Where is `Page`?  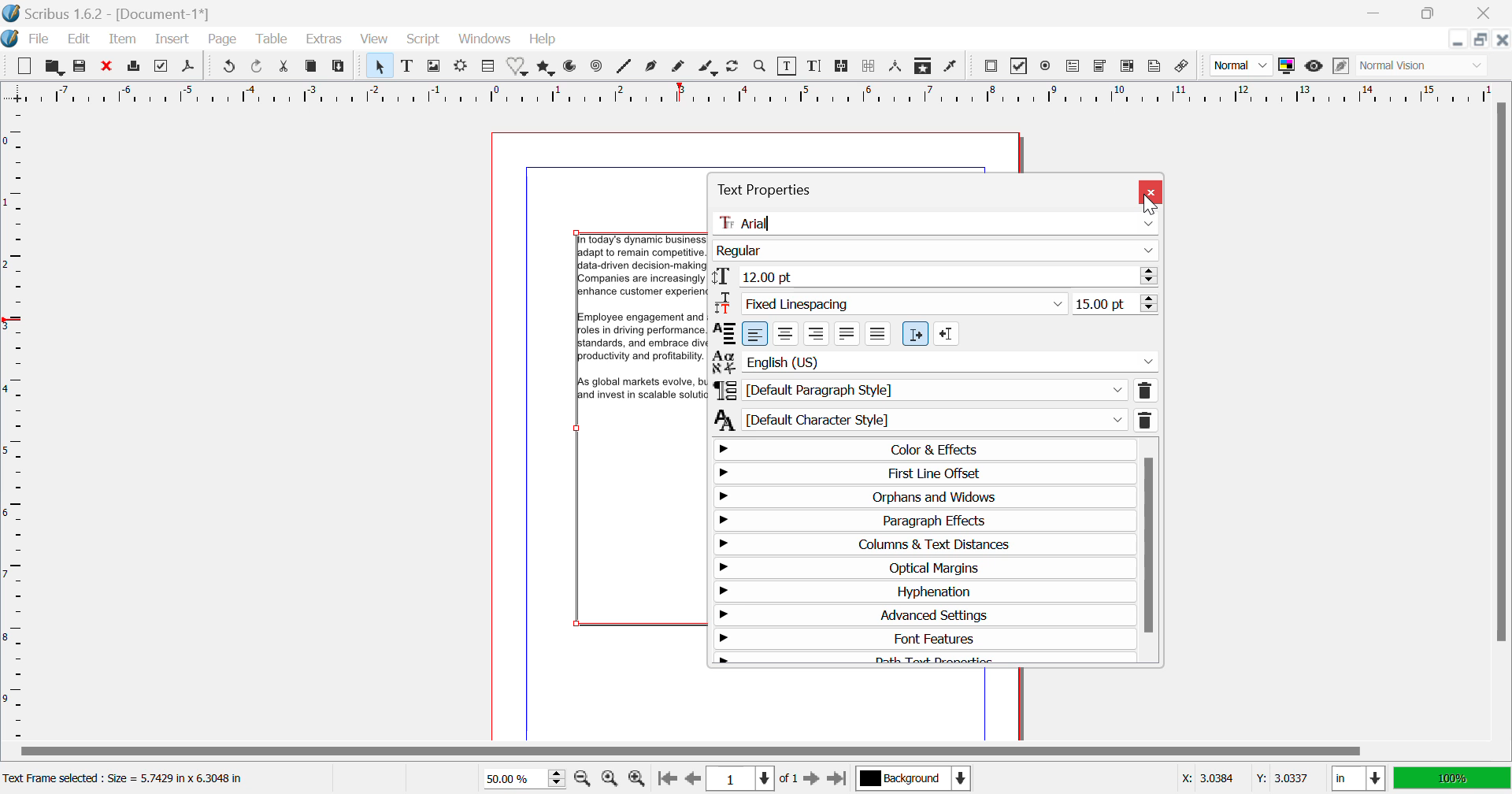 Page is located at coordinates (223, 41).